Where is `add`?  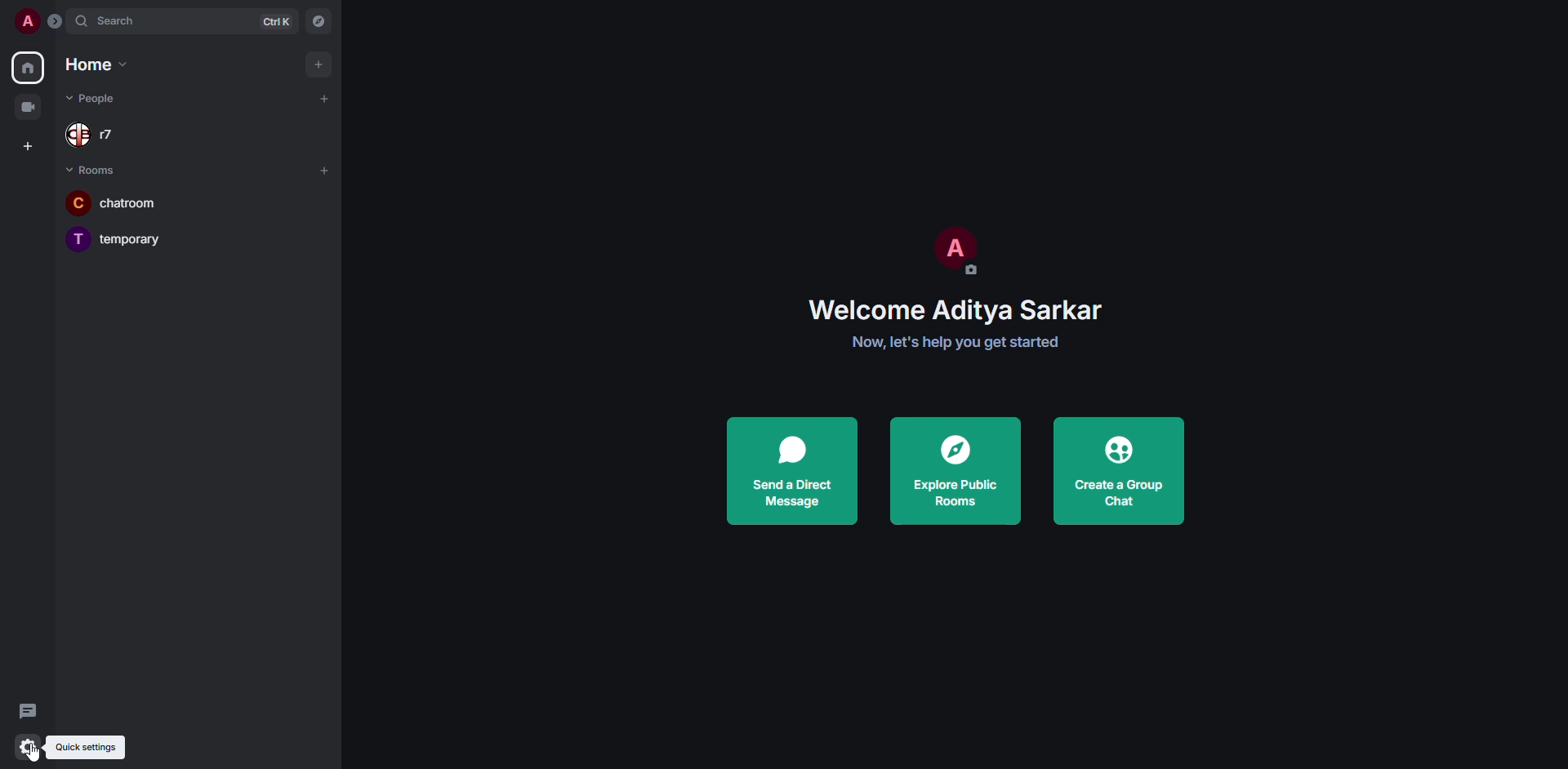
add is located at coordinates (326, 172).